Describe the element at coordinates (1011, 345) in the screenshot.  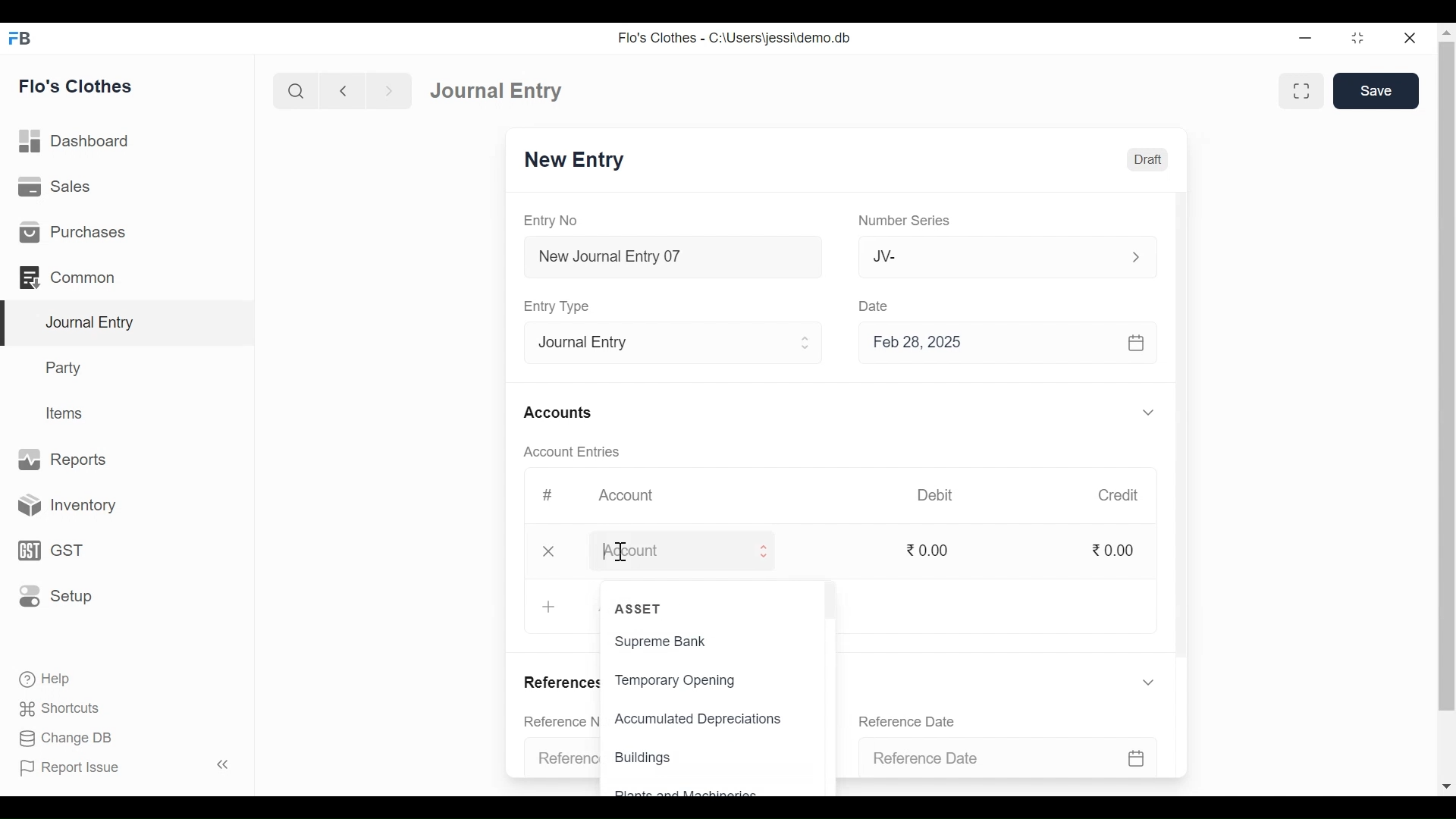
I see `Feb 28, 2025` at that location.